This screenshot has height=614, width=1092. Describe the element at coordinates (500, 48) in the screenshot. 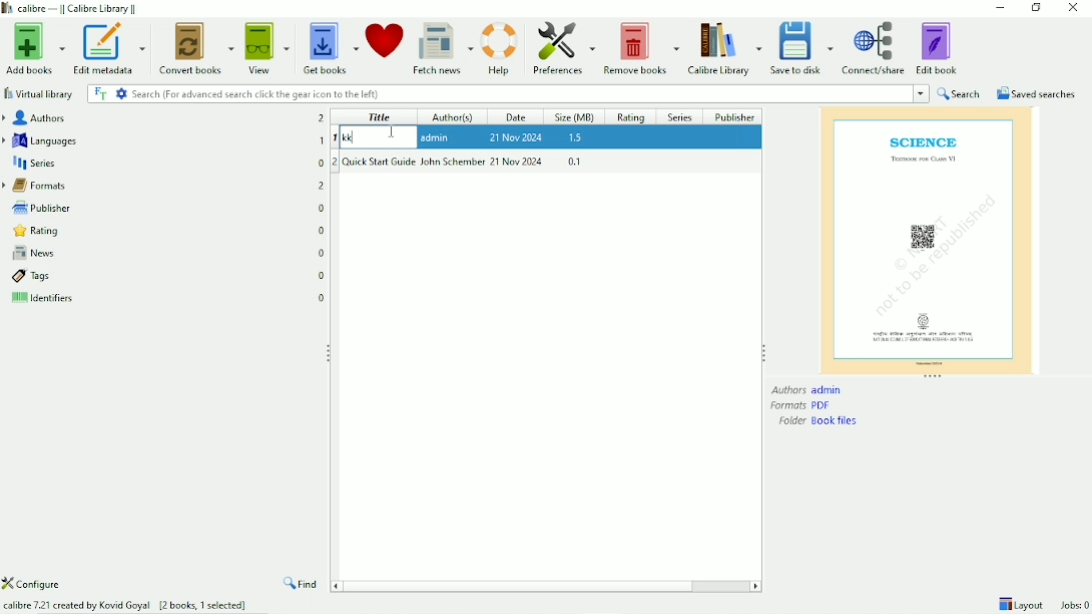

I see `Help` at that location.